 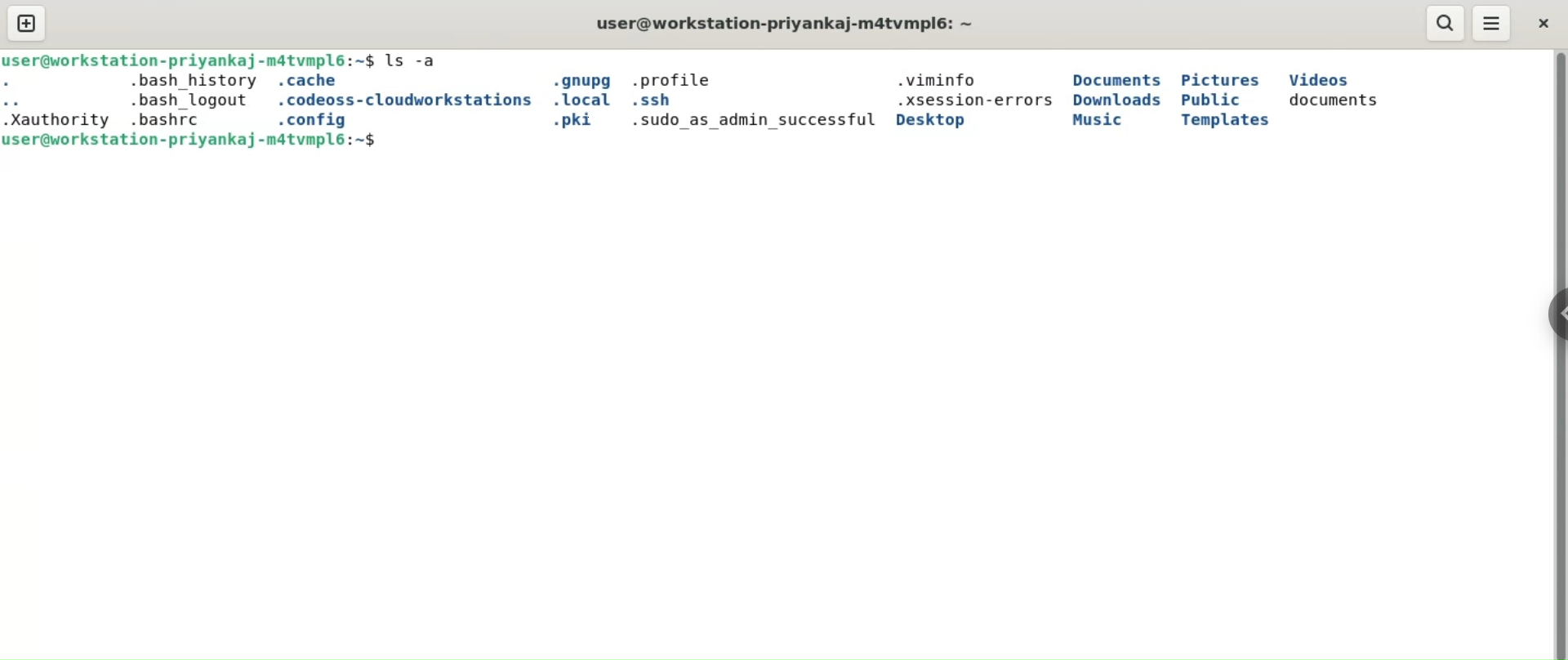 What do you see at coordinates (684, 79) in the screenshot?
I see `.profile` at bounding box center [684, 79].